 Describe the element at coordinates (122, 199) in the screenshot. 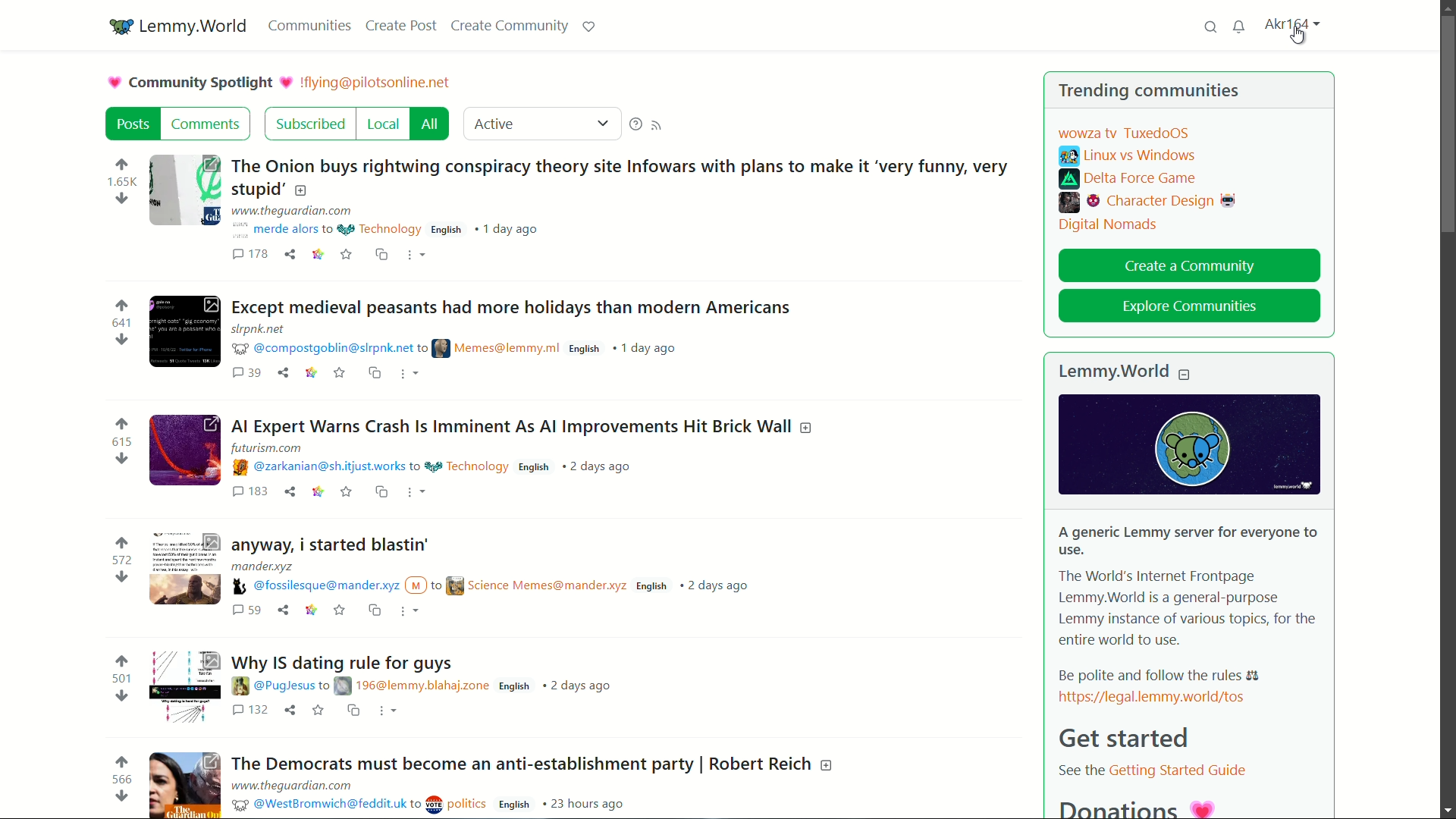

I see `downvote` at that location.